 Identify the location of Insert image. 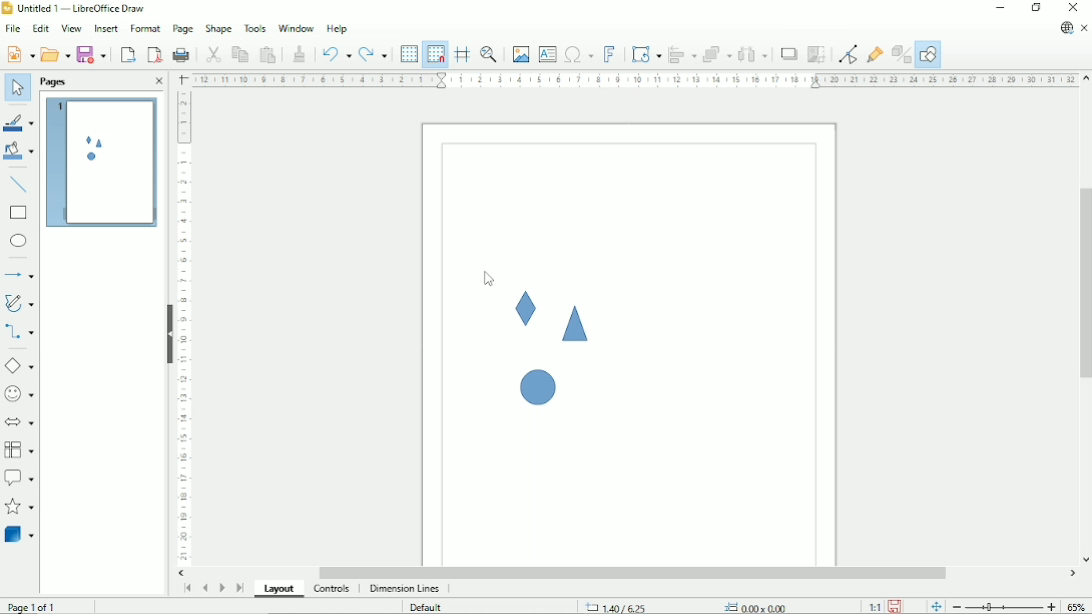
(521, 55).